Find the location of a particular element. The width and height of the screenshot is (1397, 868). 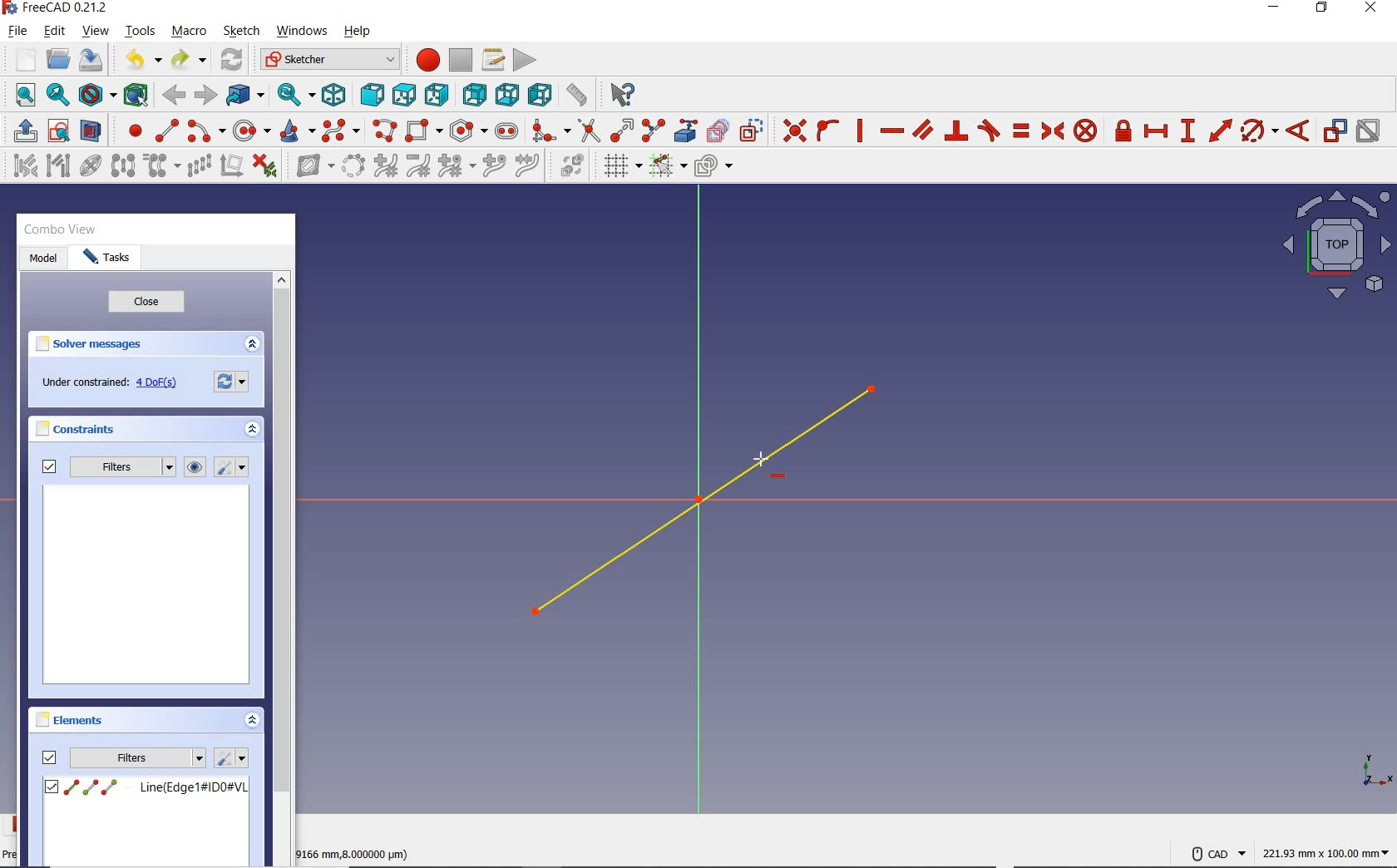

CONSTRAIN LOCK is located at coordinates (1124, 131).